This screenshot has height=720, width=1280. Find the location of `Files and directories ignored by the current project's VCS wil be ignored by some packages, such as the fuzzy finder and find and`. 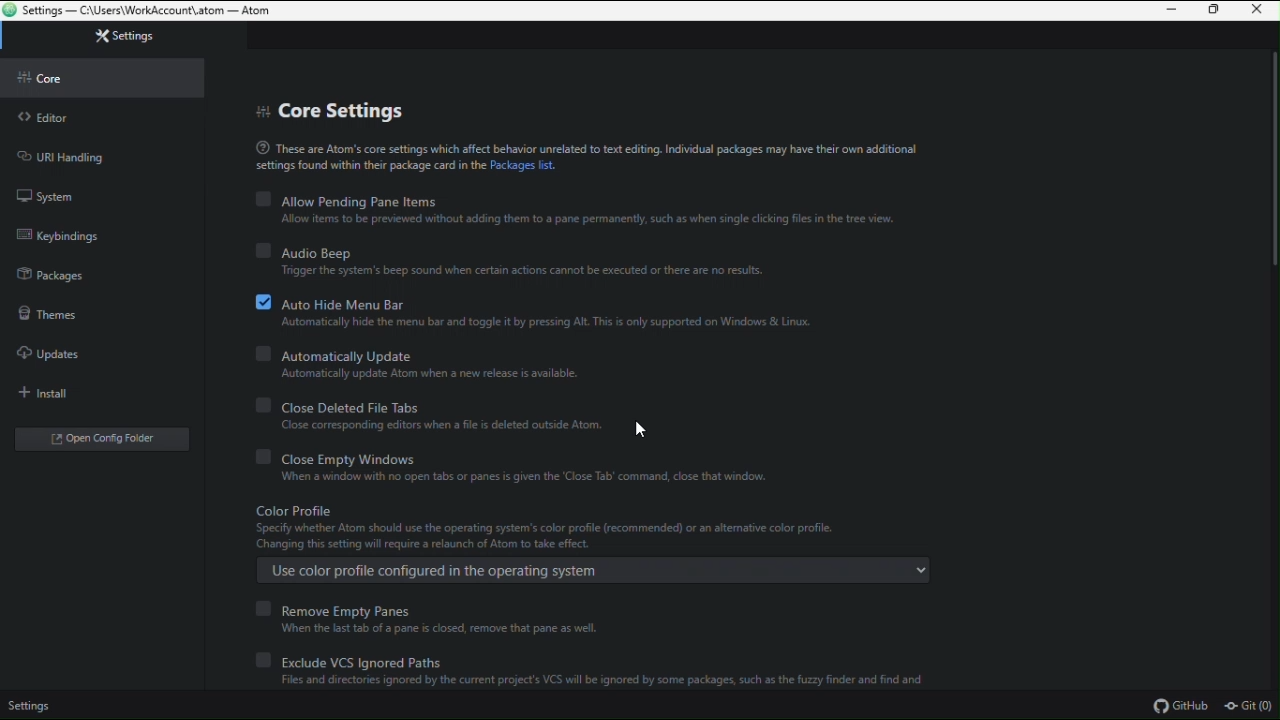

Files and directories ignored by the current project's VCS wil be ignored by some packages, such as the fuzzy finder and find and is located at coordinates (592, 679).